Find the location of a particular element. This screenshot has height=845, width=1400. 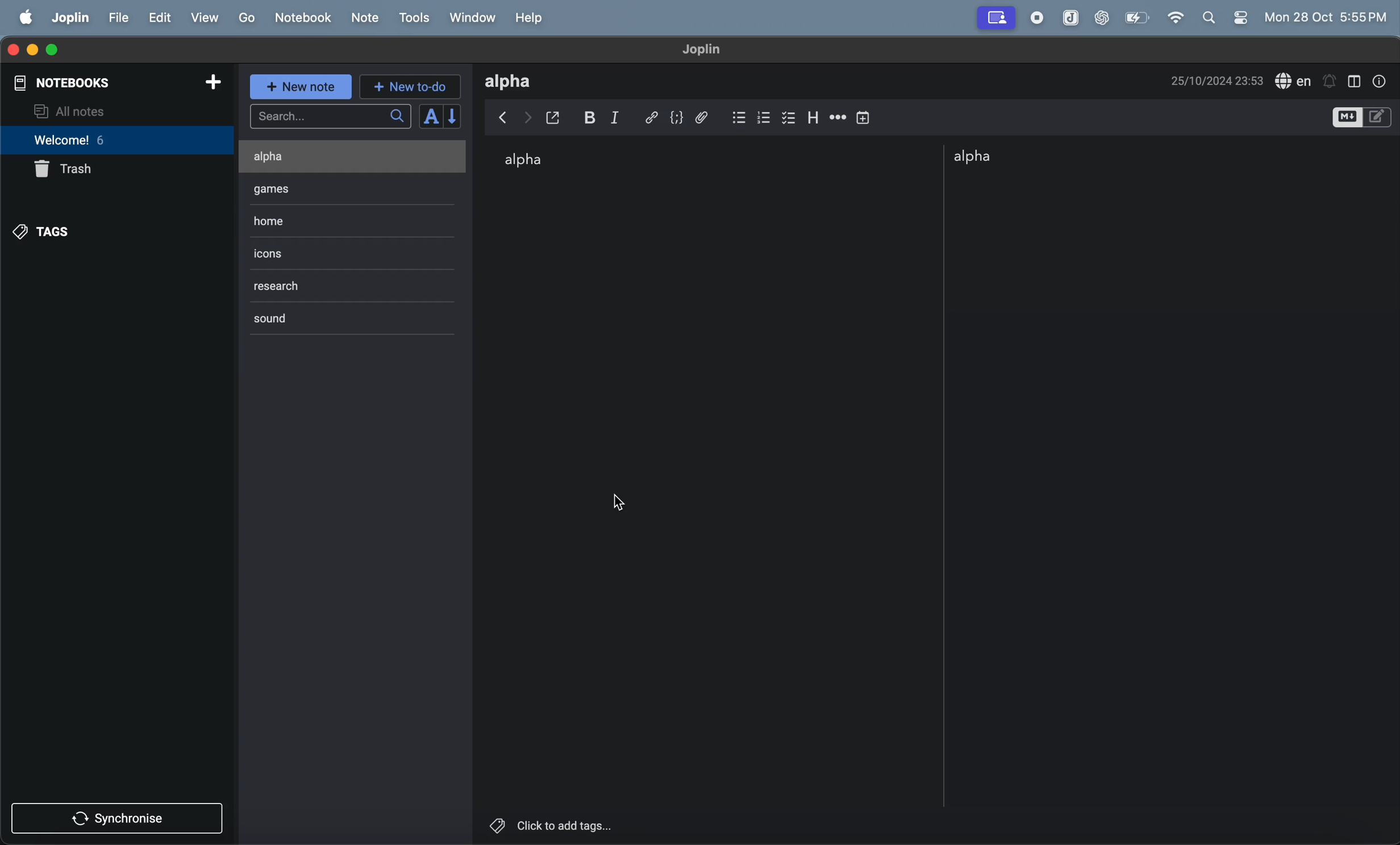

create alert is located at coordinates (1330, 78).